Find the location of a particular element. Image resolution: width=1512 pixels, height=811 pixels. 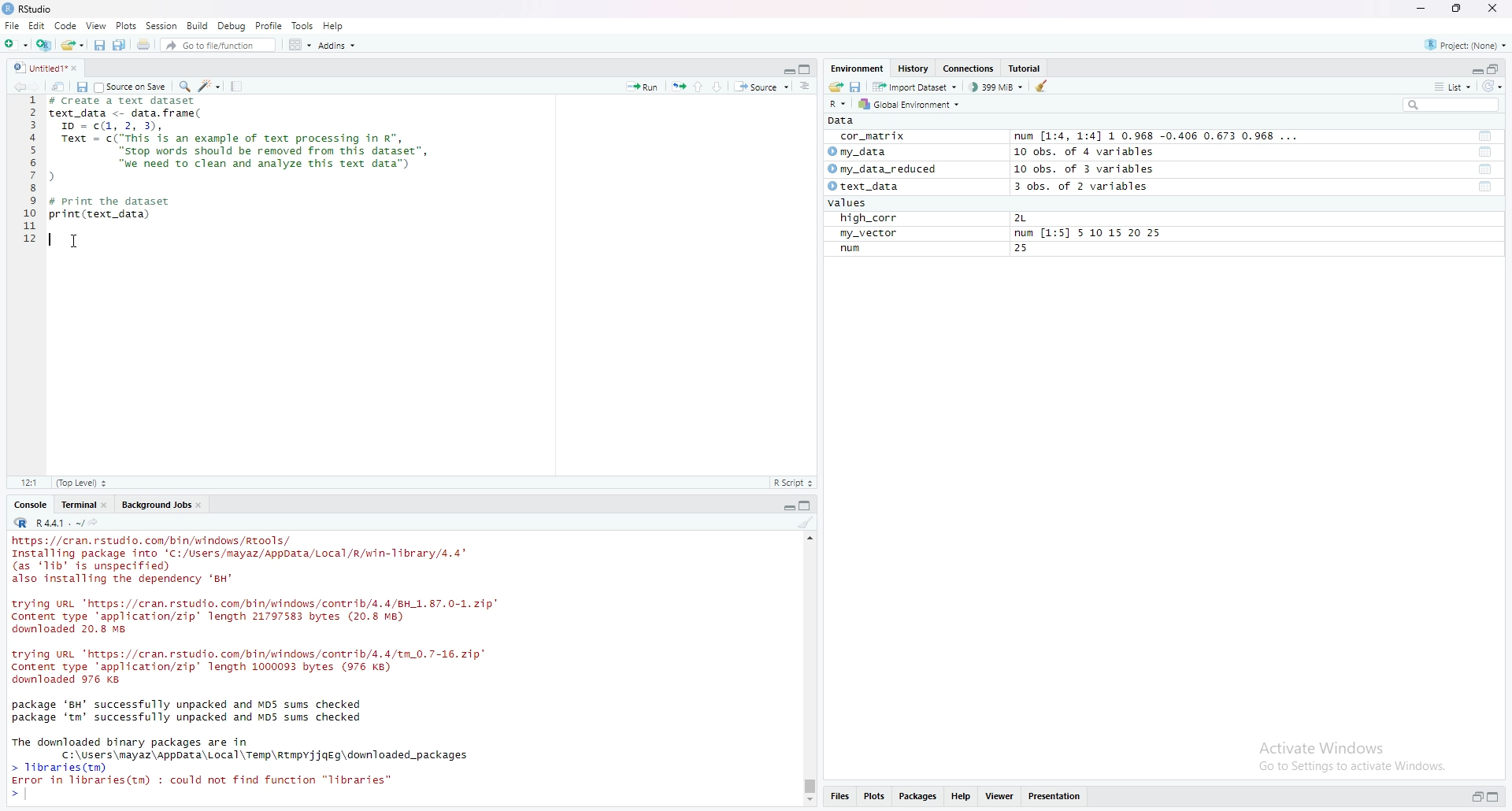

go to next section is located at coordinates (721, 85).